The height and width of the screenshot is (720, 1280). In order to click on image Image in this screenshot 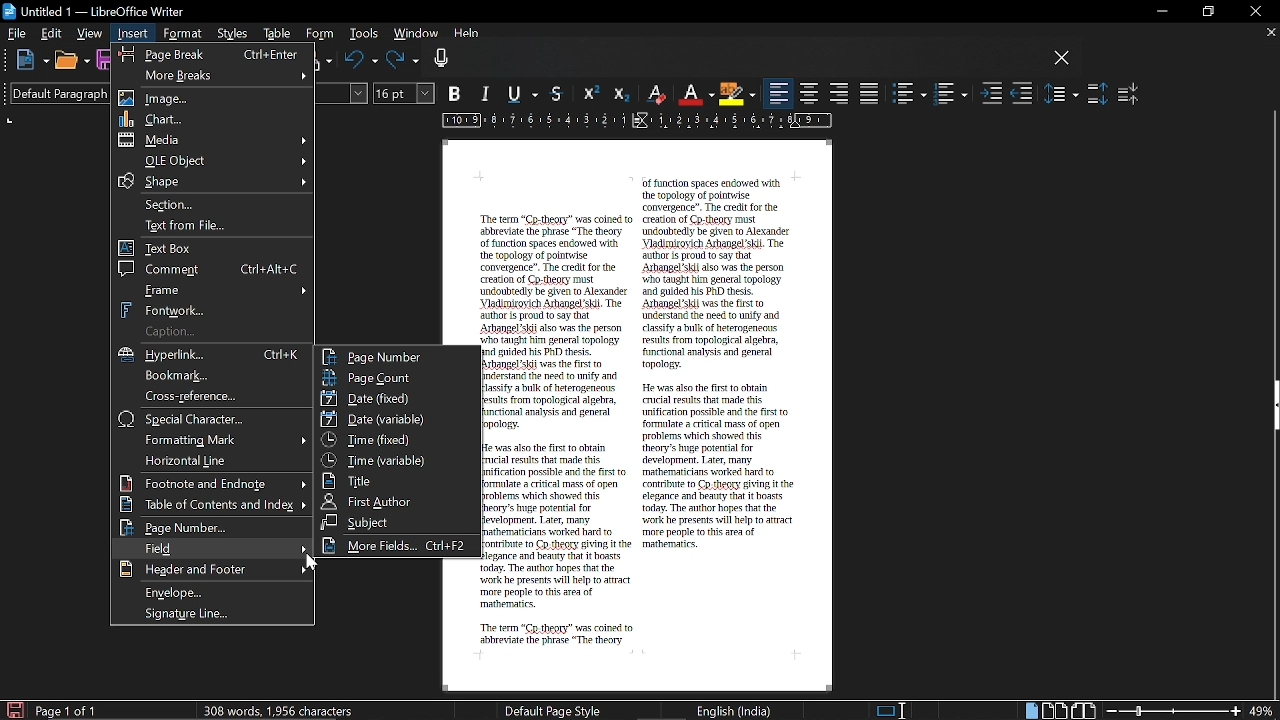, I will do `click(215, 98)`.